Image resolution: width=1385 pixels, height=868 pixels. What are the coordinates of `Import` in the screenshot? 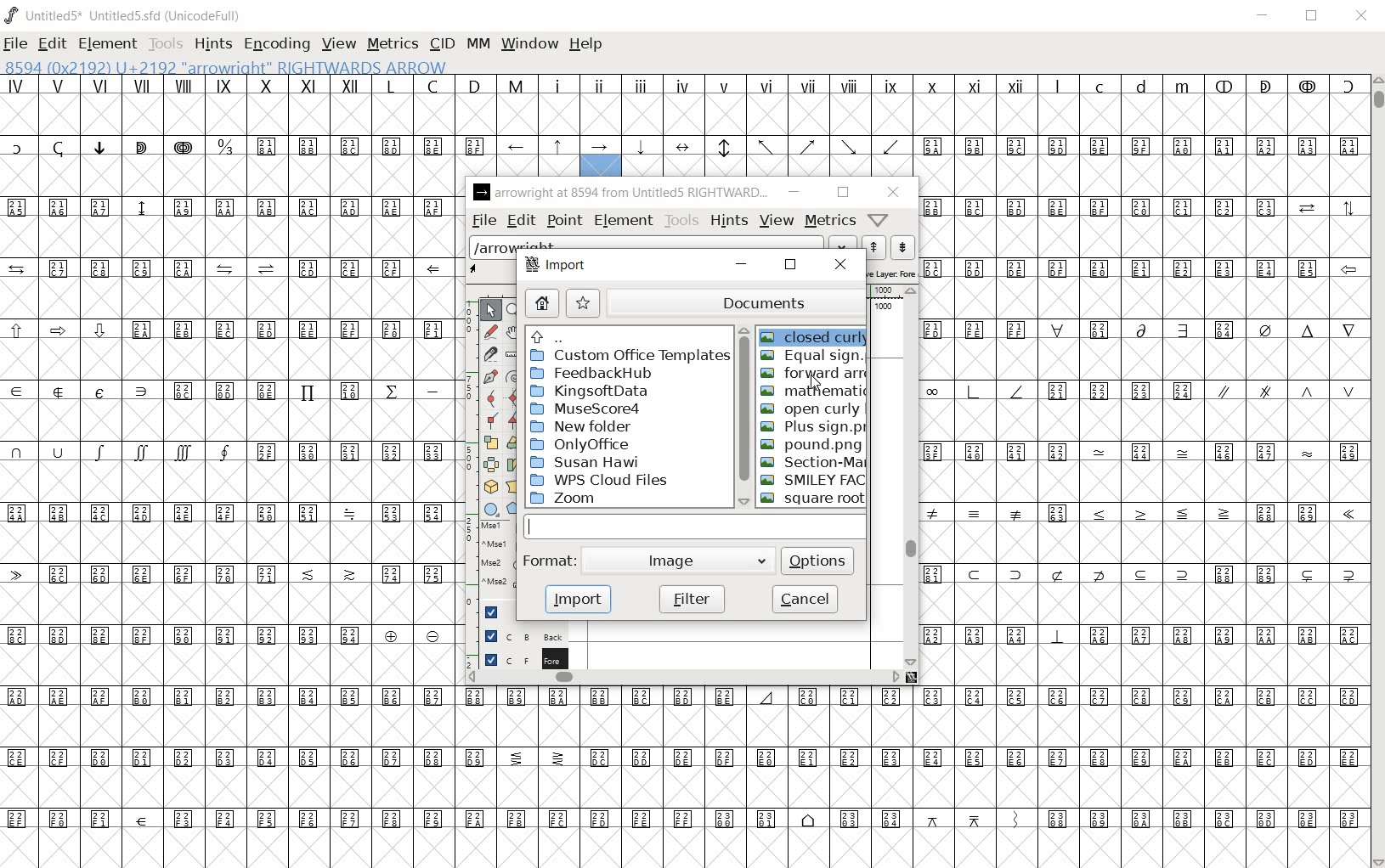 It's located at (557, 267).